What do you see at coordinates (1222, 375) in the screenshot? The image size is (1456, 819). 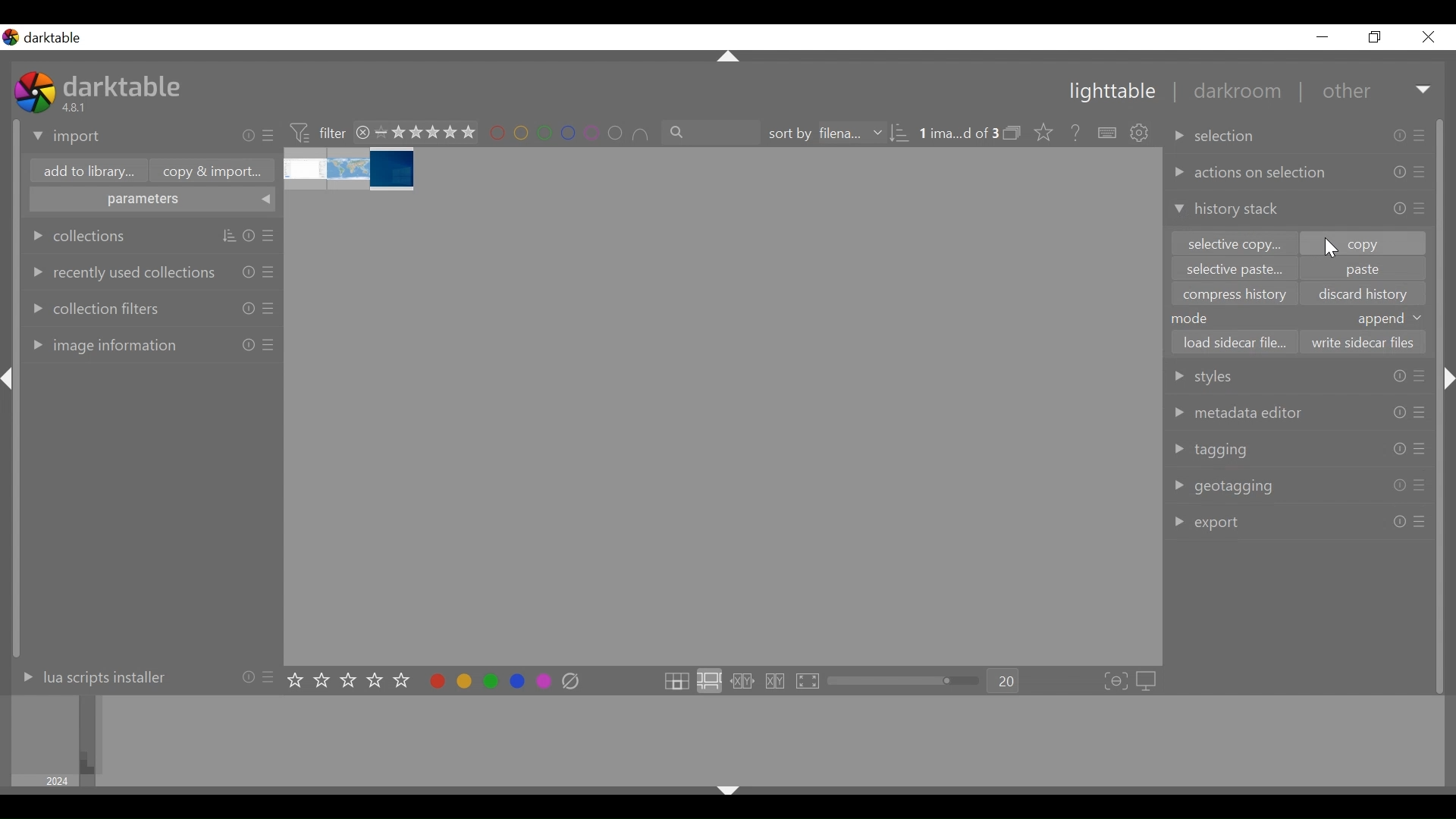 I see `style` at bounding box center [1222, 375].